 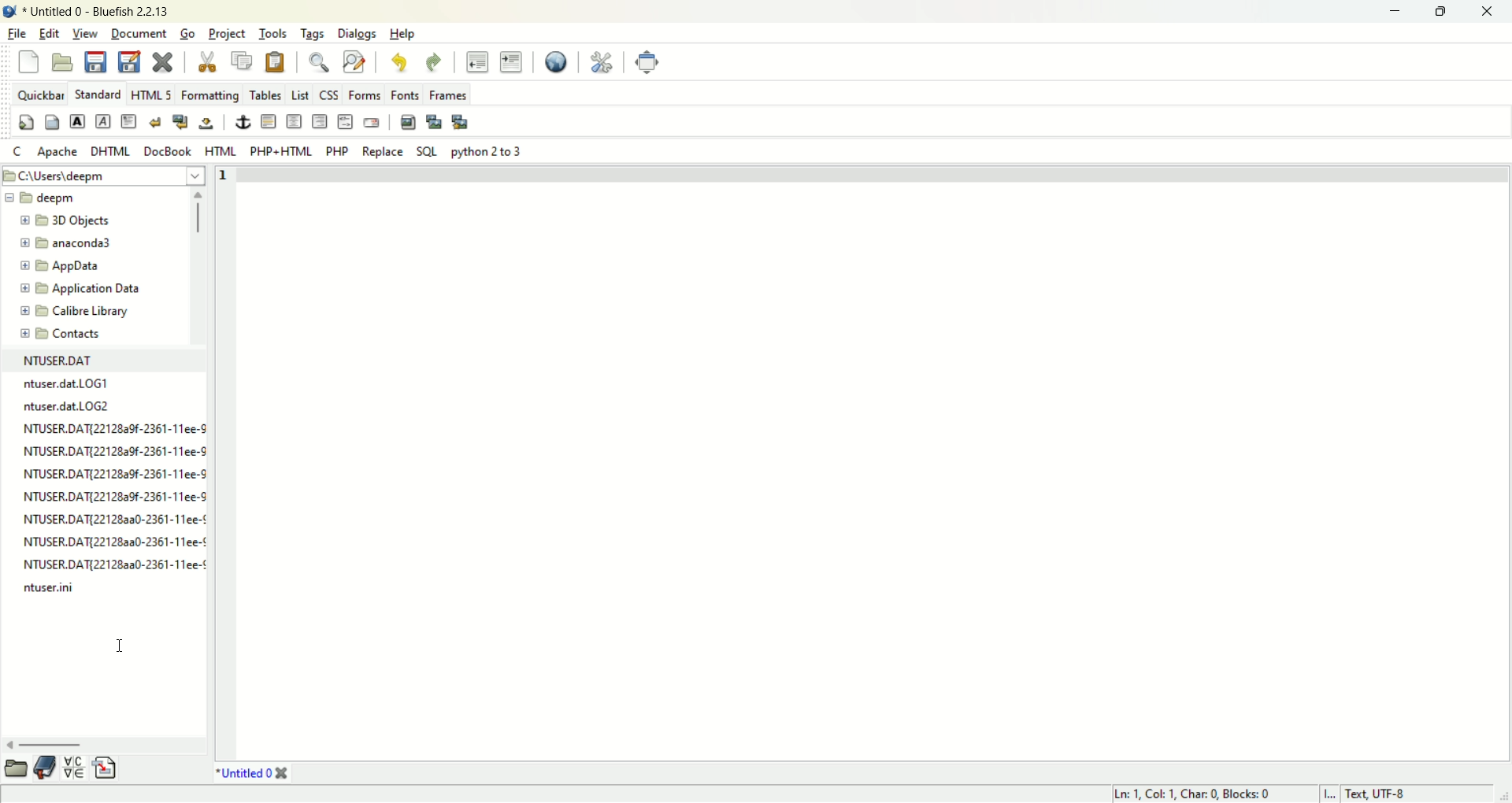 What do you see at coordinates (98, 94) in the screenshot?
I see `standard` at bounding box center [98, 94].